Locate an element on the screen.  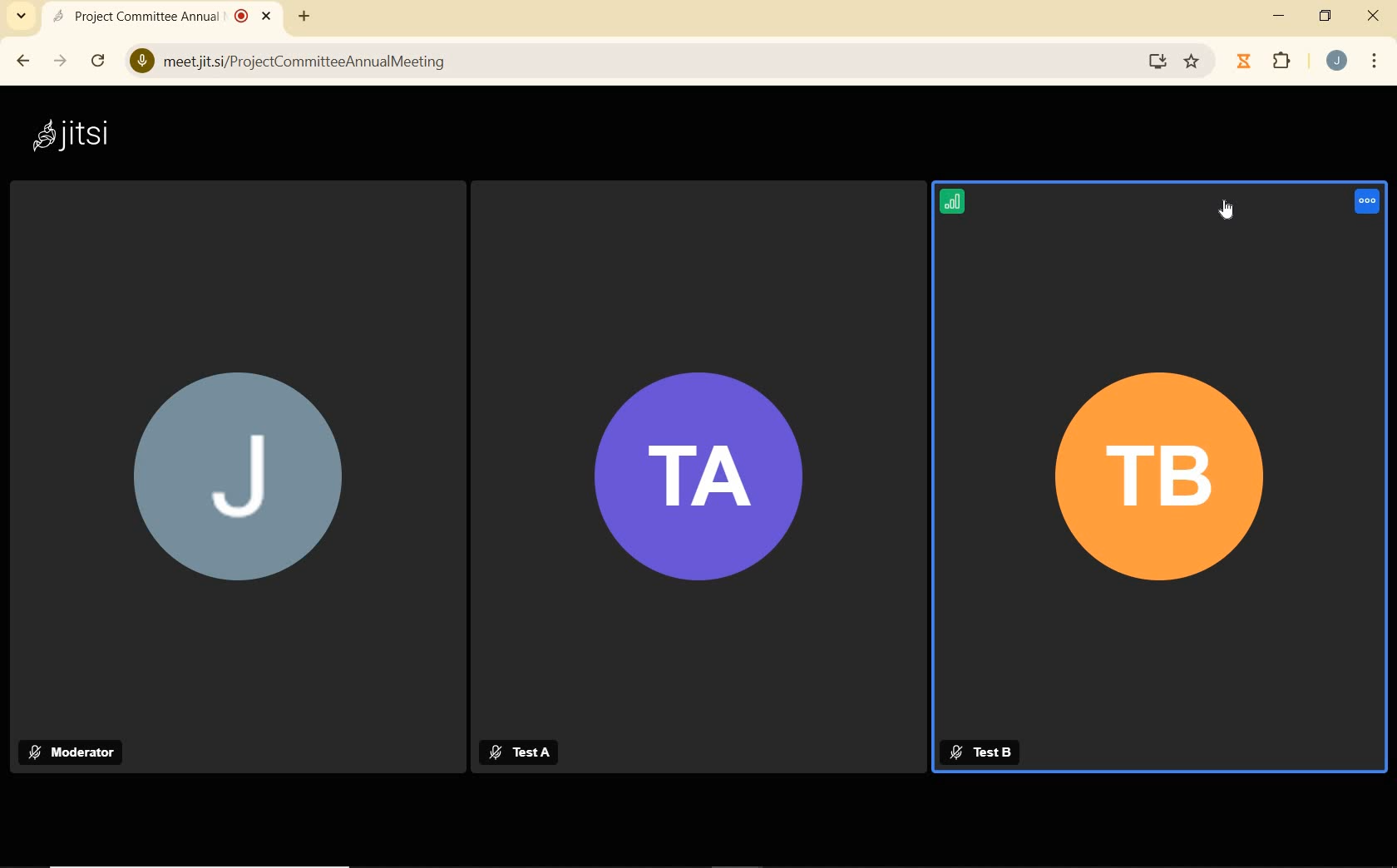
FORWARD is located at coordinates (61, 62).